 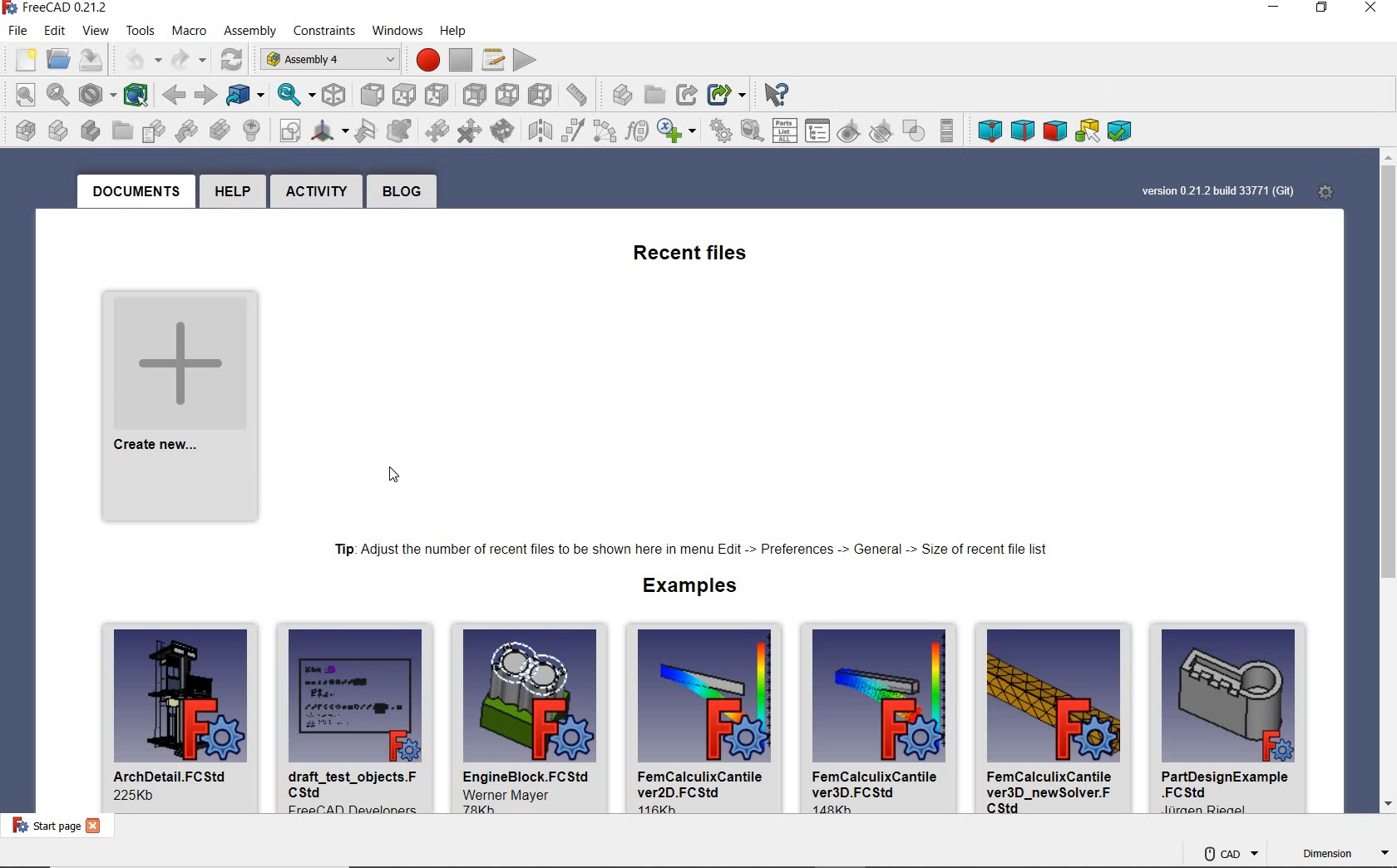 I want to click on Assembly 4, so click(x=329, y=60).